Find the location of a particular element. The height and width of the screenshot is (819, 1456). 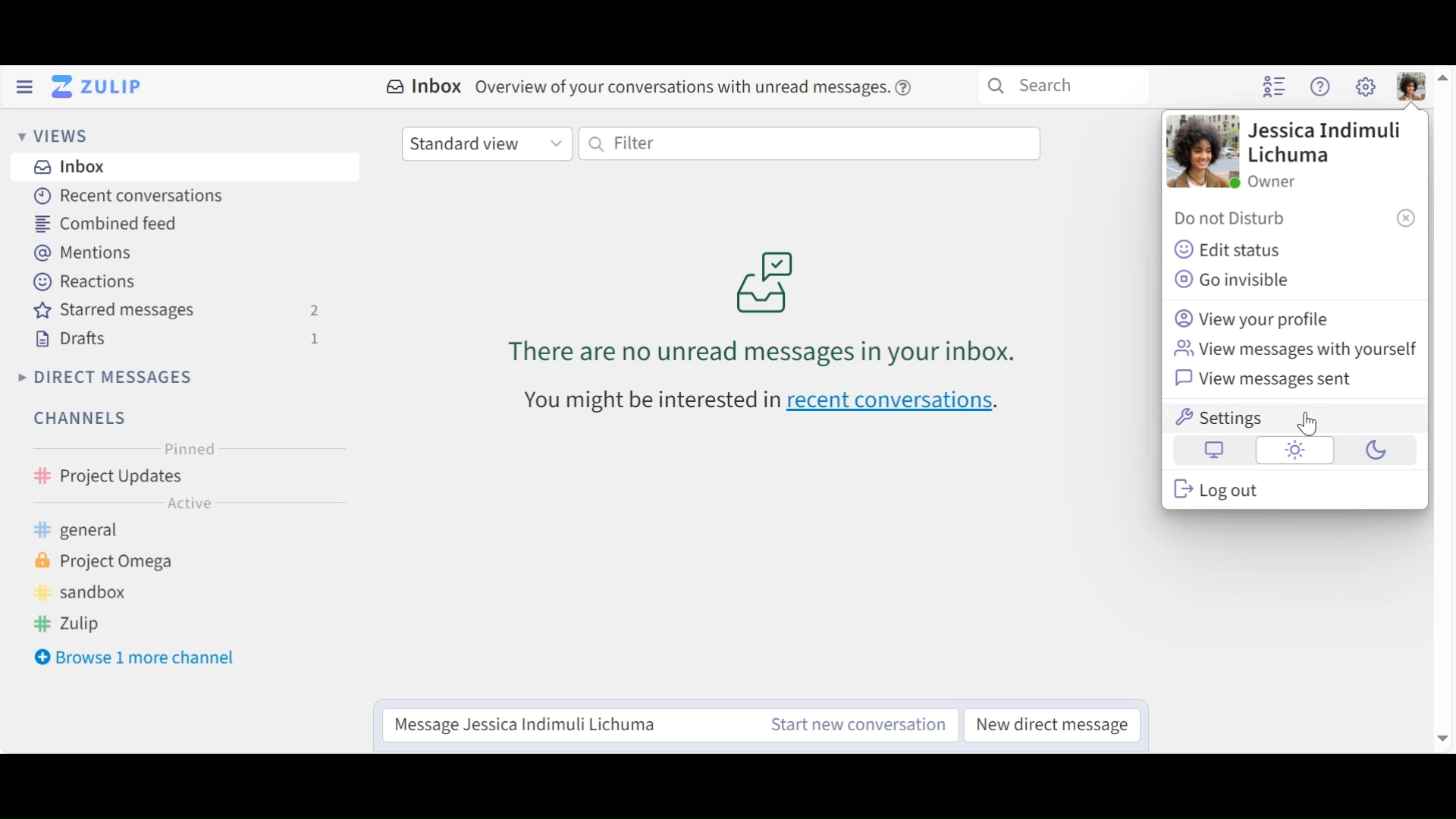

sandbox is located at coordinates (96, 593).